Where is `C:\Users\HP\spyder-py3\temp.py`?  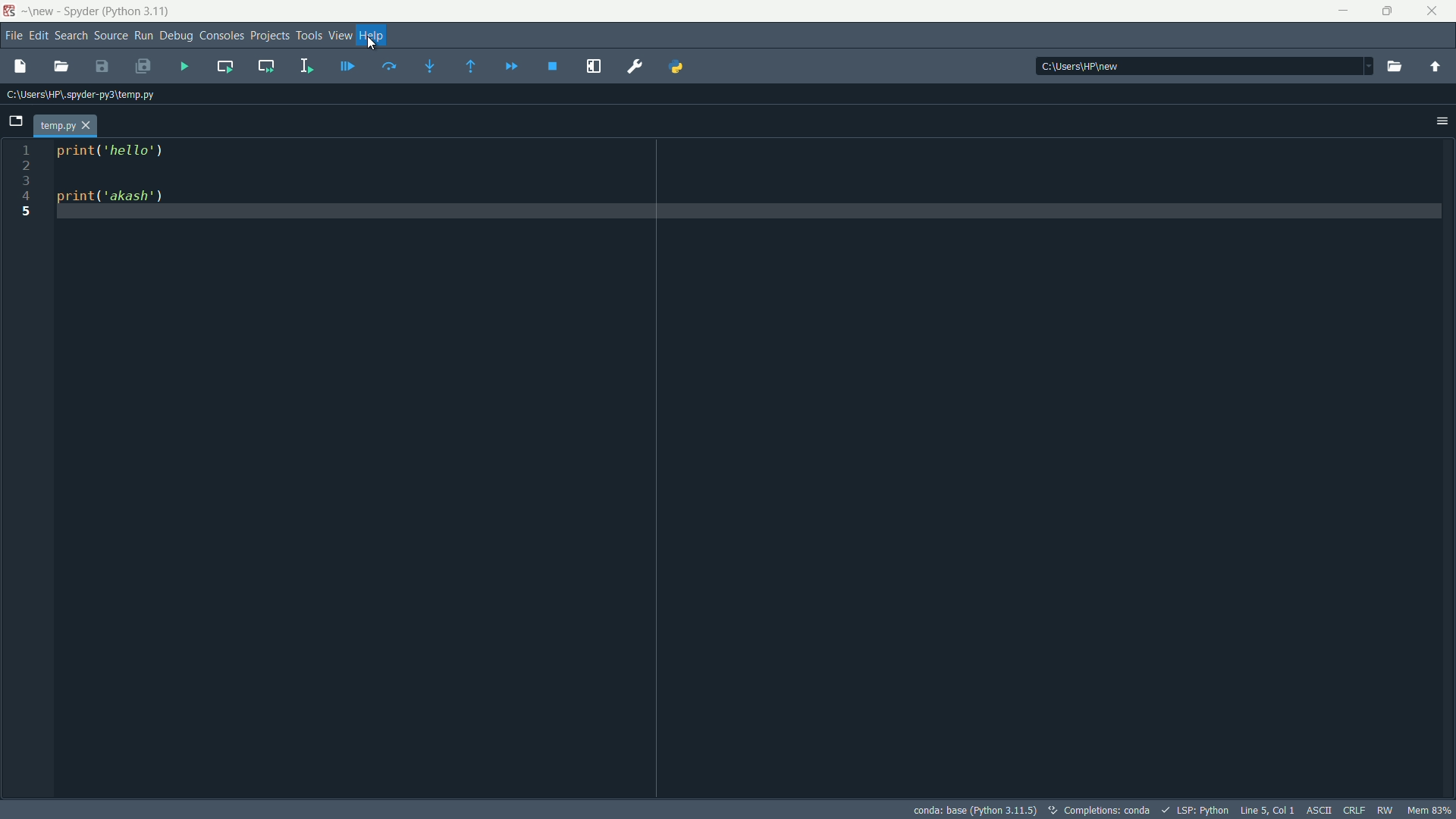
C:\Users\HP\spyder-py3\temp.py is located at coordinates (86, 96).